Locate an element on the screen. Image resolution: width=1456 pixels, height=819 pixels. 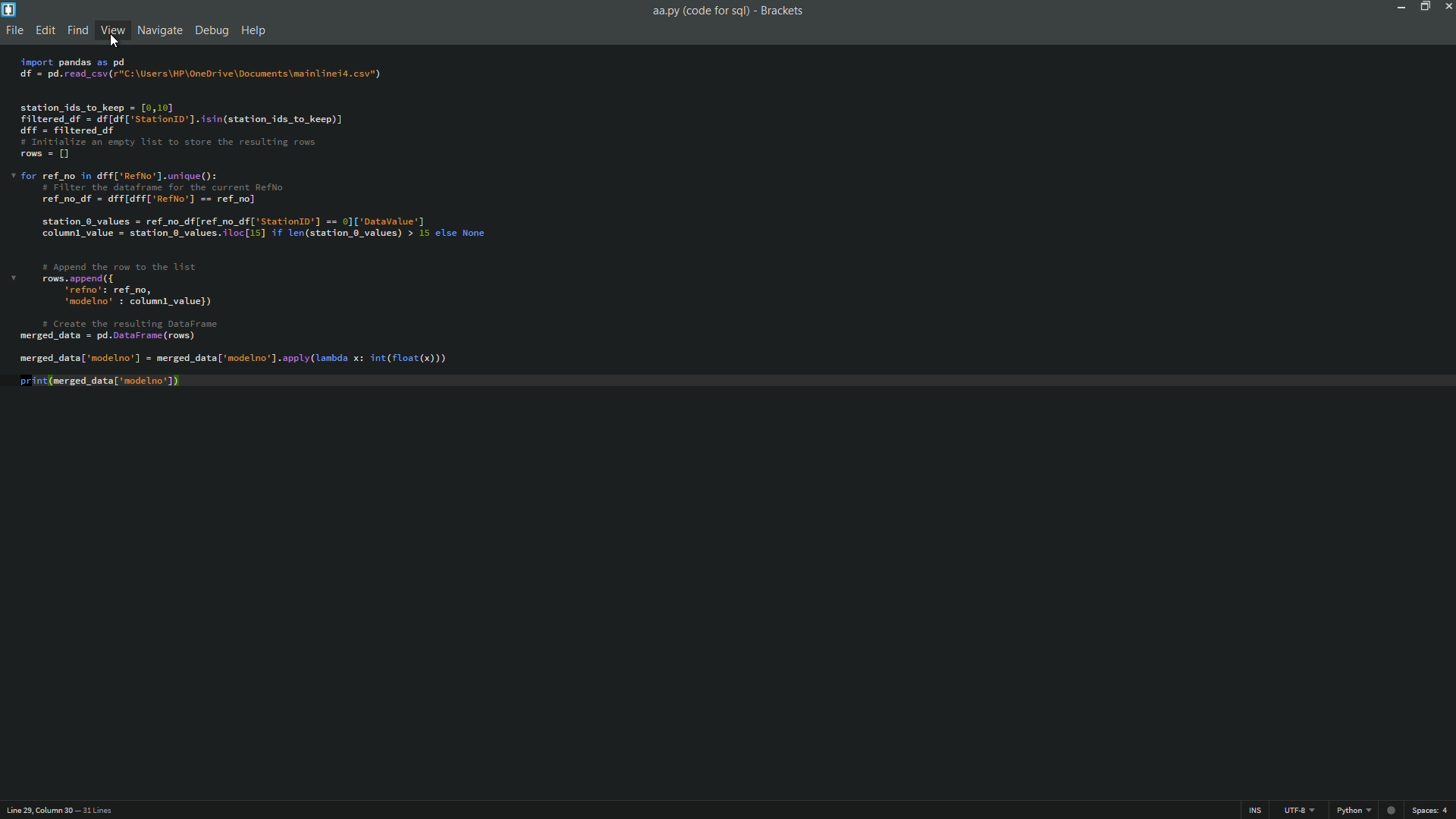
space button is located at coordinates (1429, 810).